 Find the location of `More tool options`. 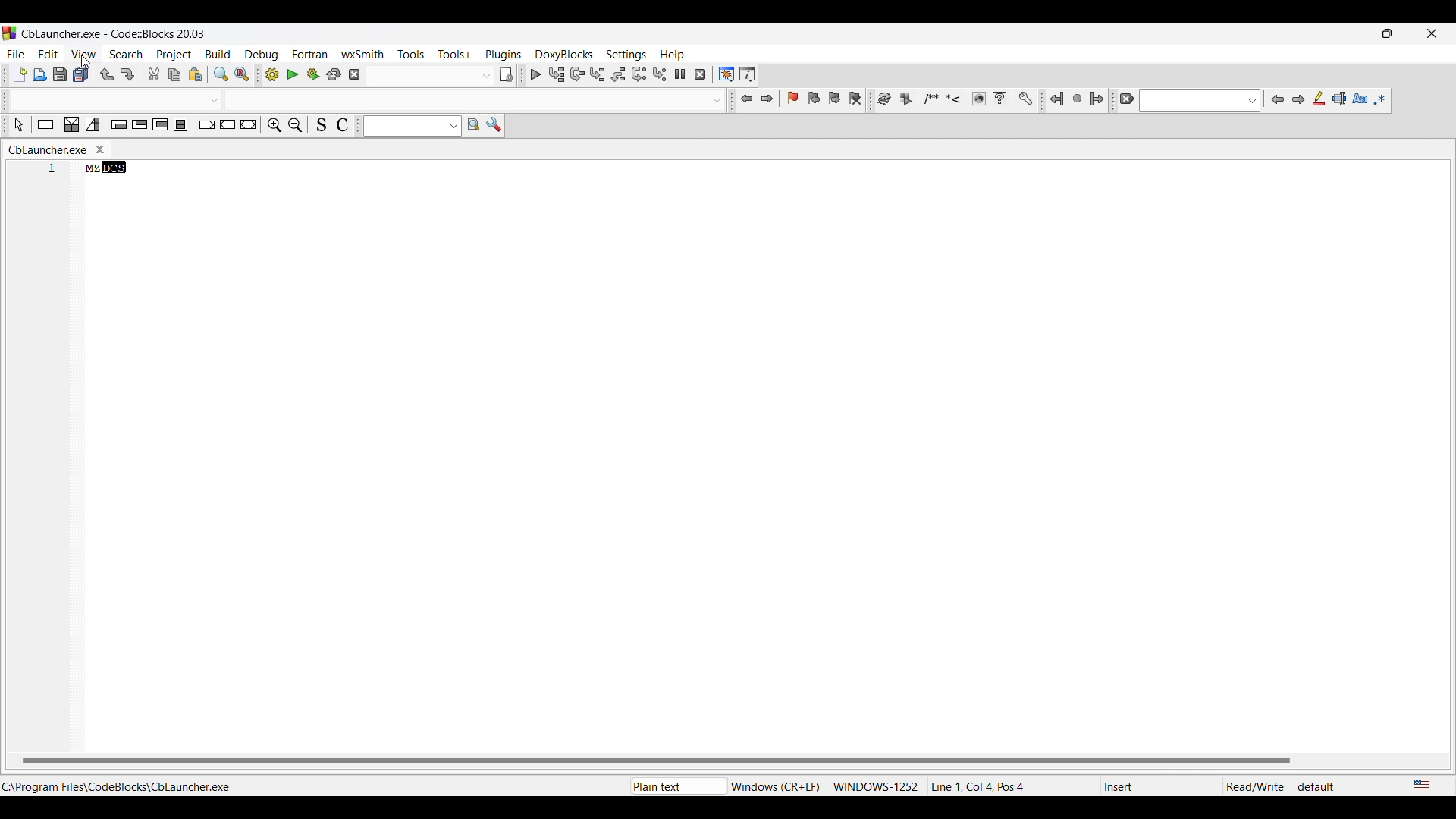

More tool options is located at coordinates (955, 99).